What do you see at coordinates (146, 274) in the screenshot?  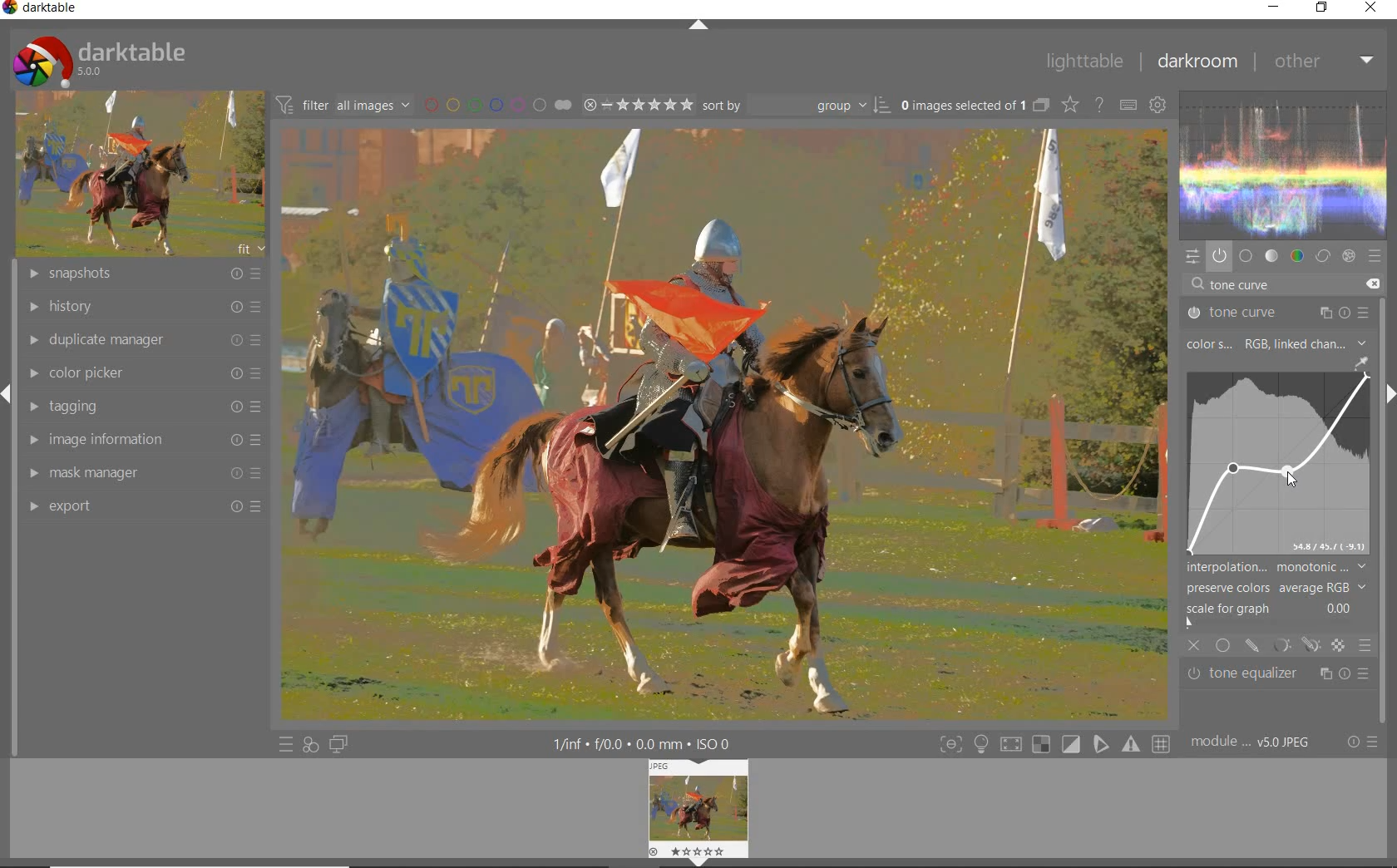 I see `snapshots` at bounding box center [146, 274].